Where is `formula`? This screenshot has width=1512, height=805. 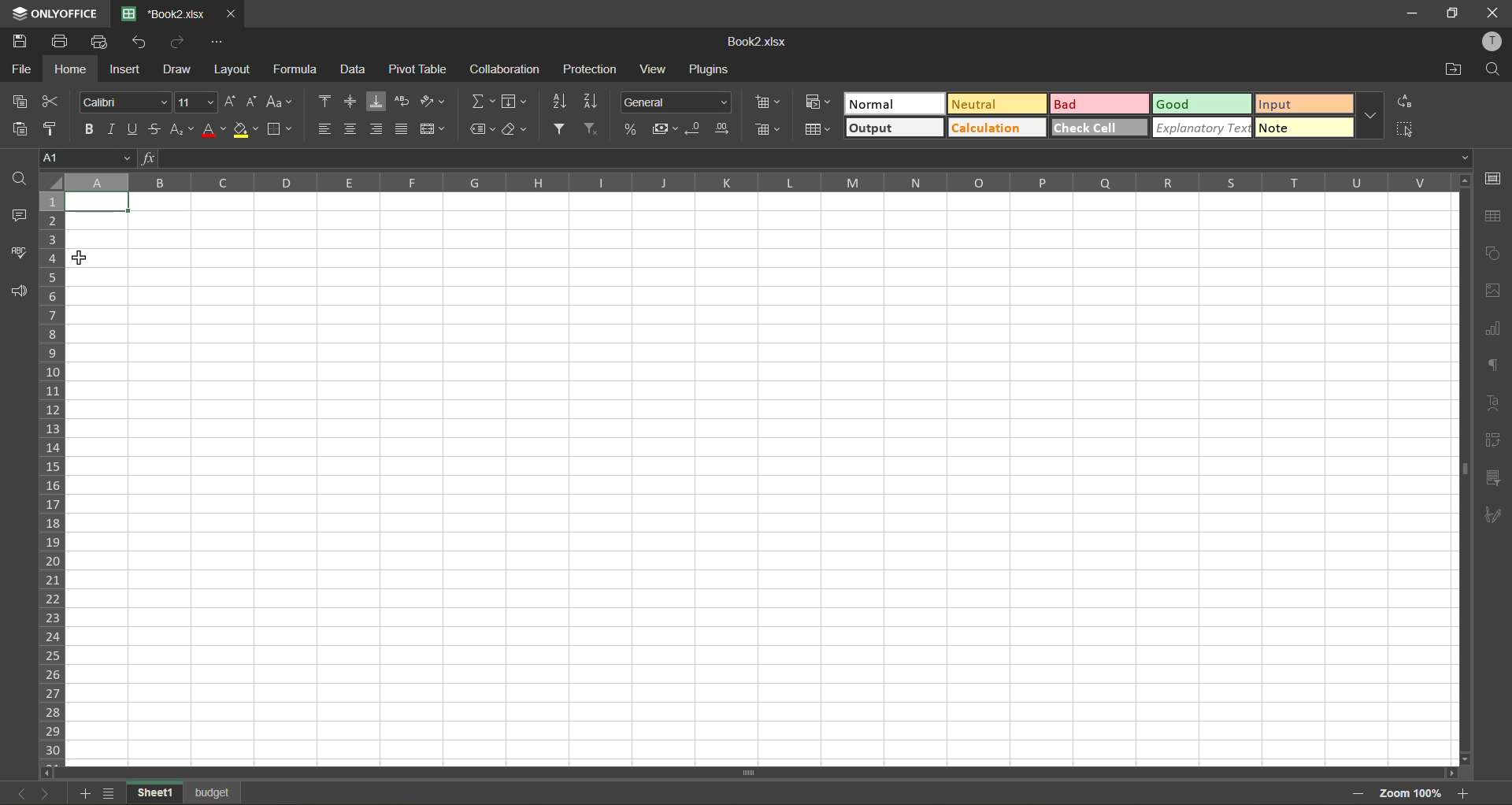 formula is located at coordinates (296, 69).